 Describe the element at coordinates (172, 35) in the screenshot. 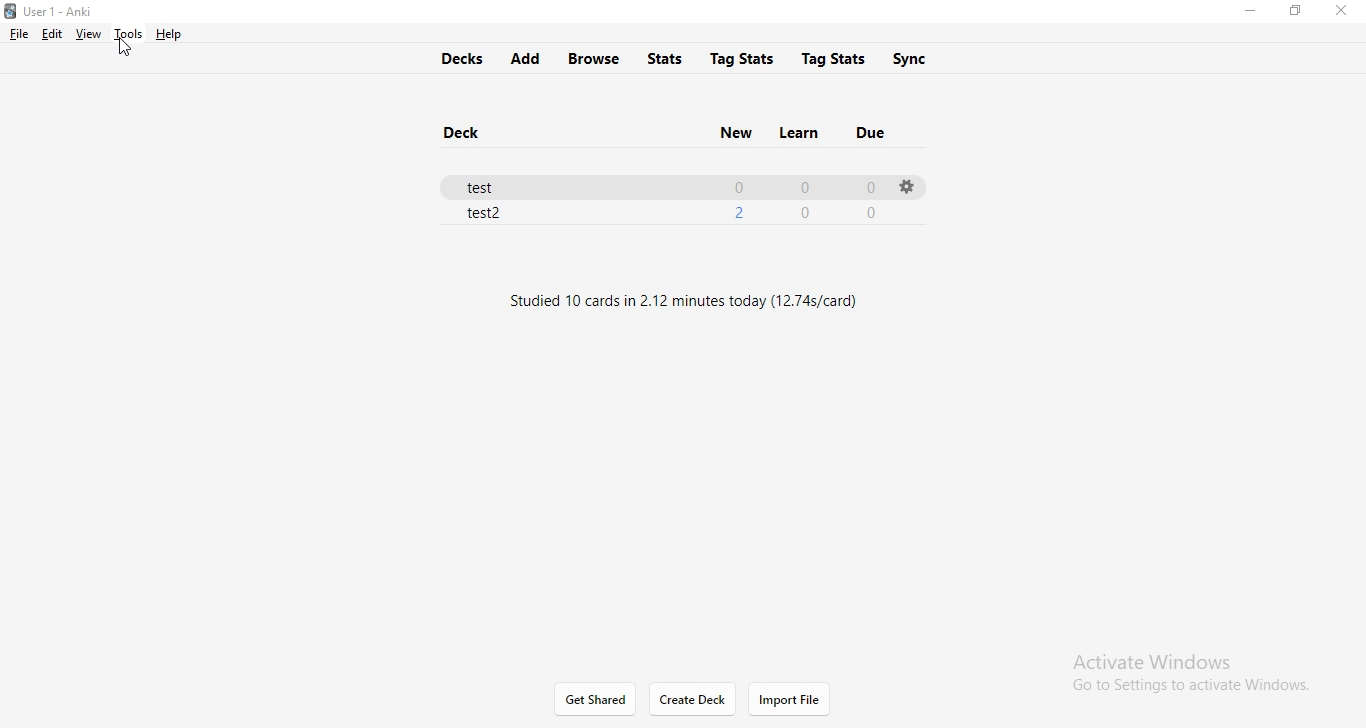

I see `help` at that location.